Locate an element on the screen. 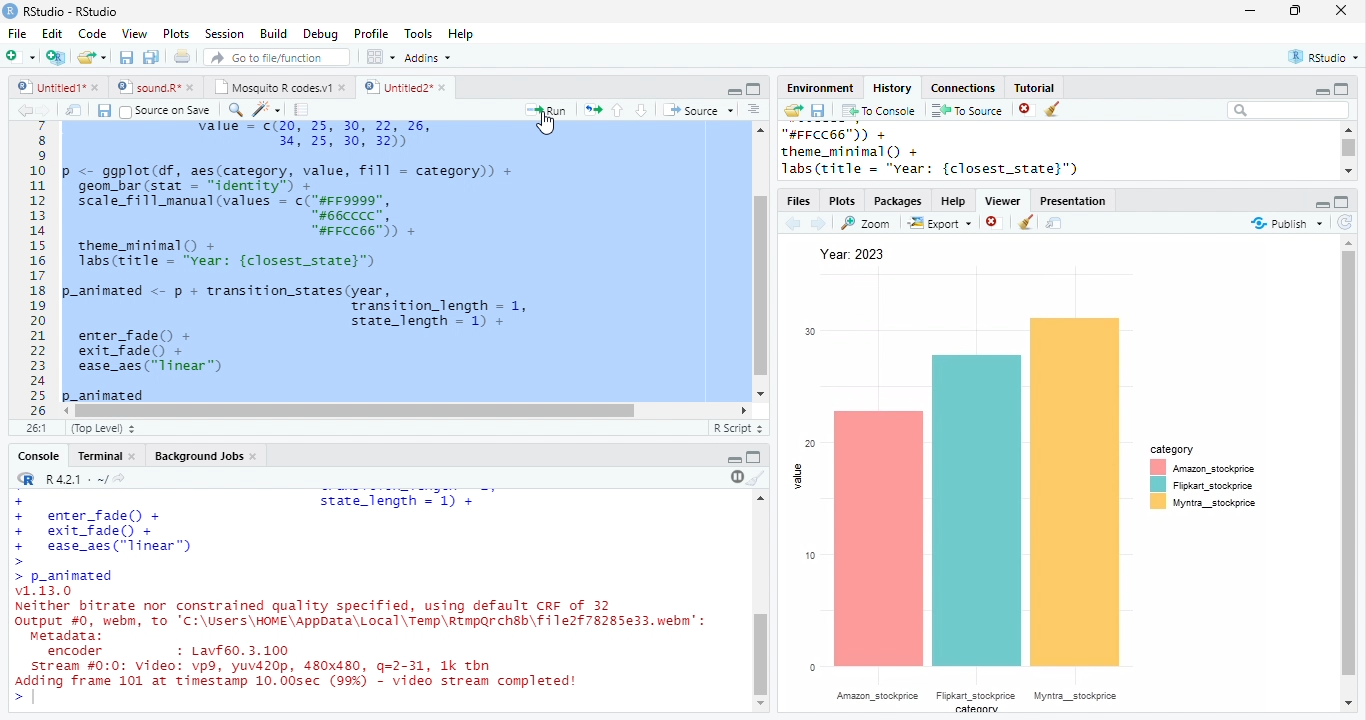 The image size is (1366, 720). refresh is located at coordinates (1345, 223).